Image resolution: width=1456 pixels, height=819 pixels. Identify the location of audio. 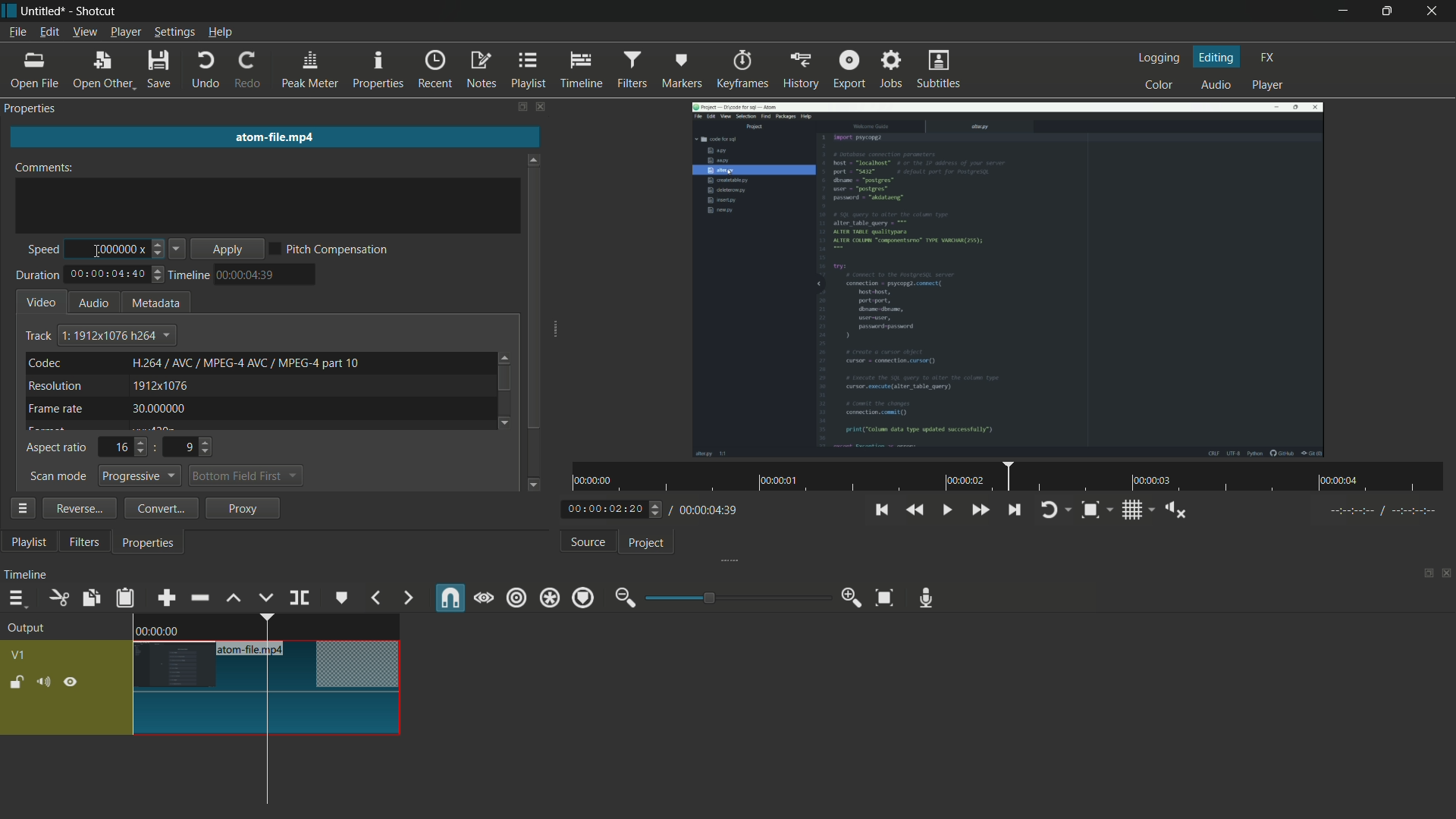
(93, 303).